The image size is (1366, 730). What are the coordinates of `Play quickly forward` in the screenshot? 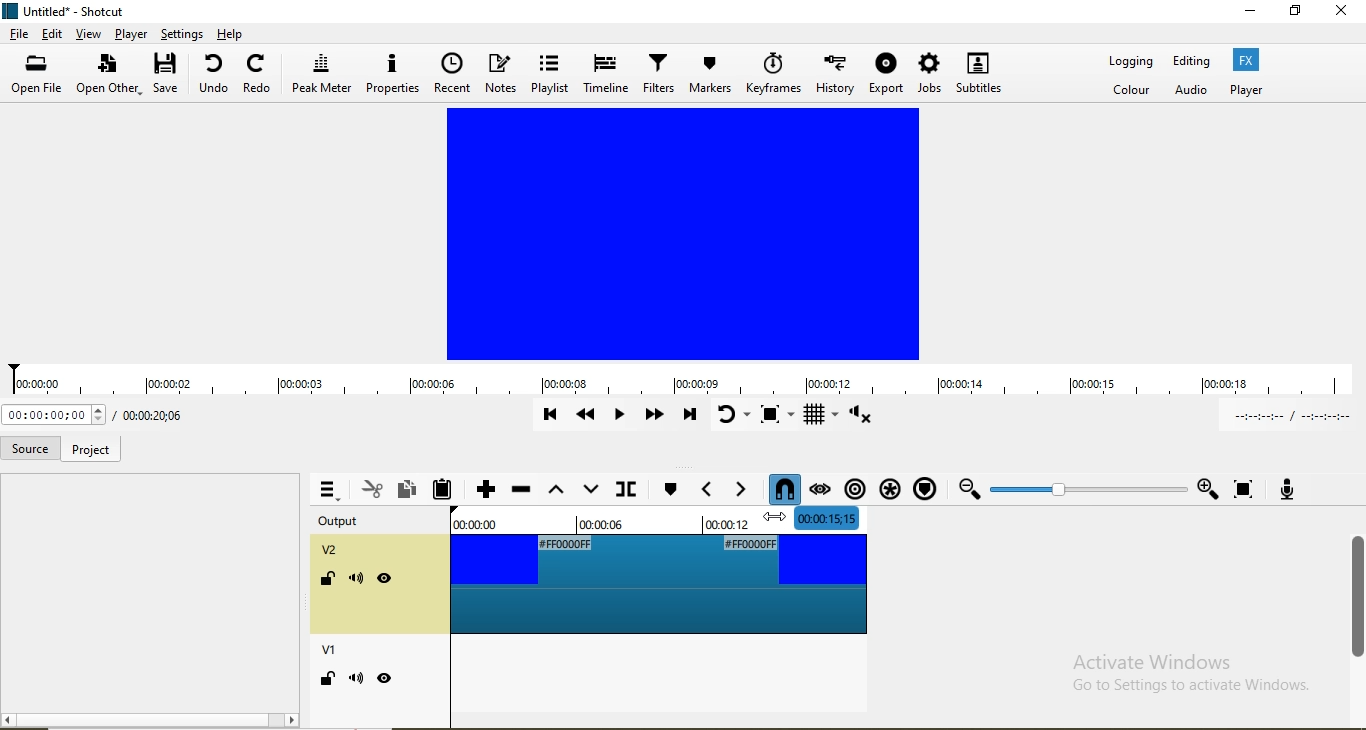 It's located at (653, 418).